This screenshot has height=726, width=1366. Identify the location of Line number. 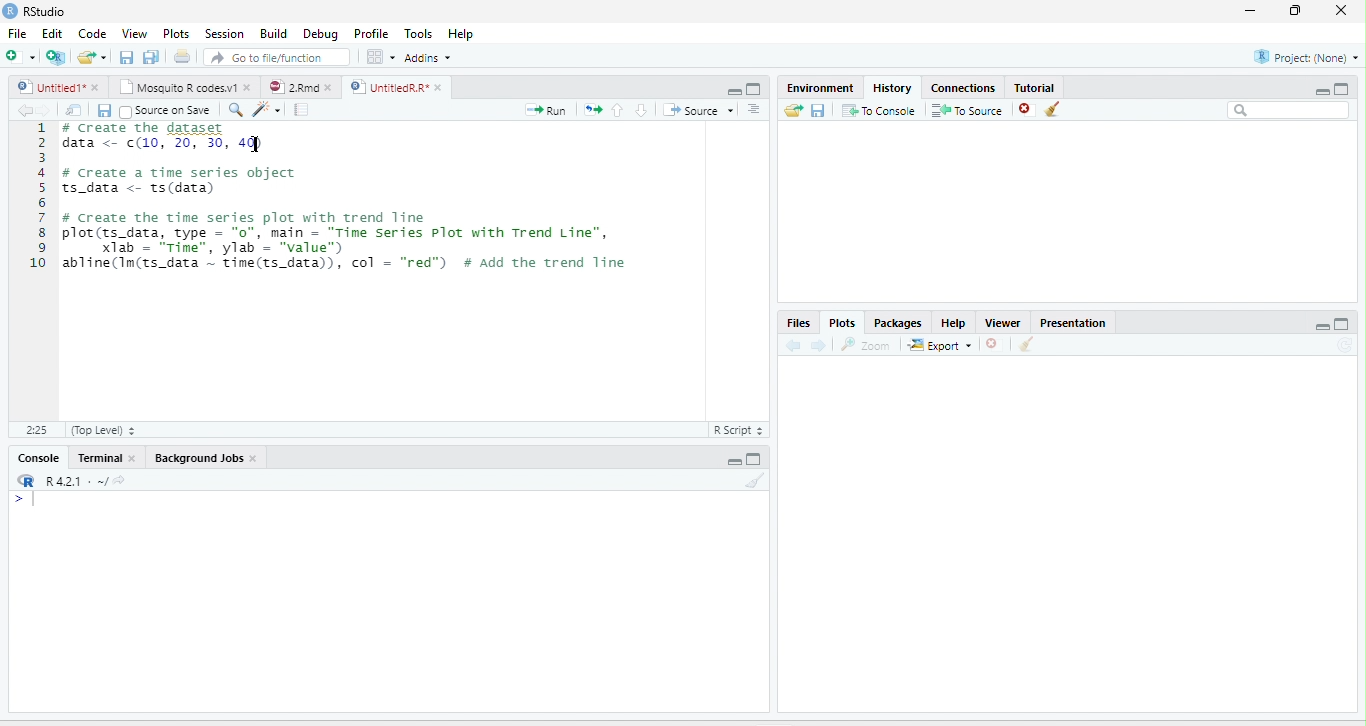
(36, 197).